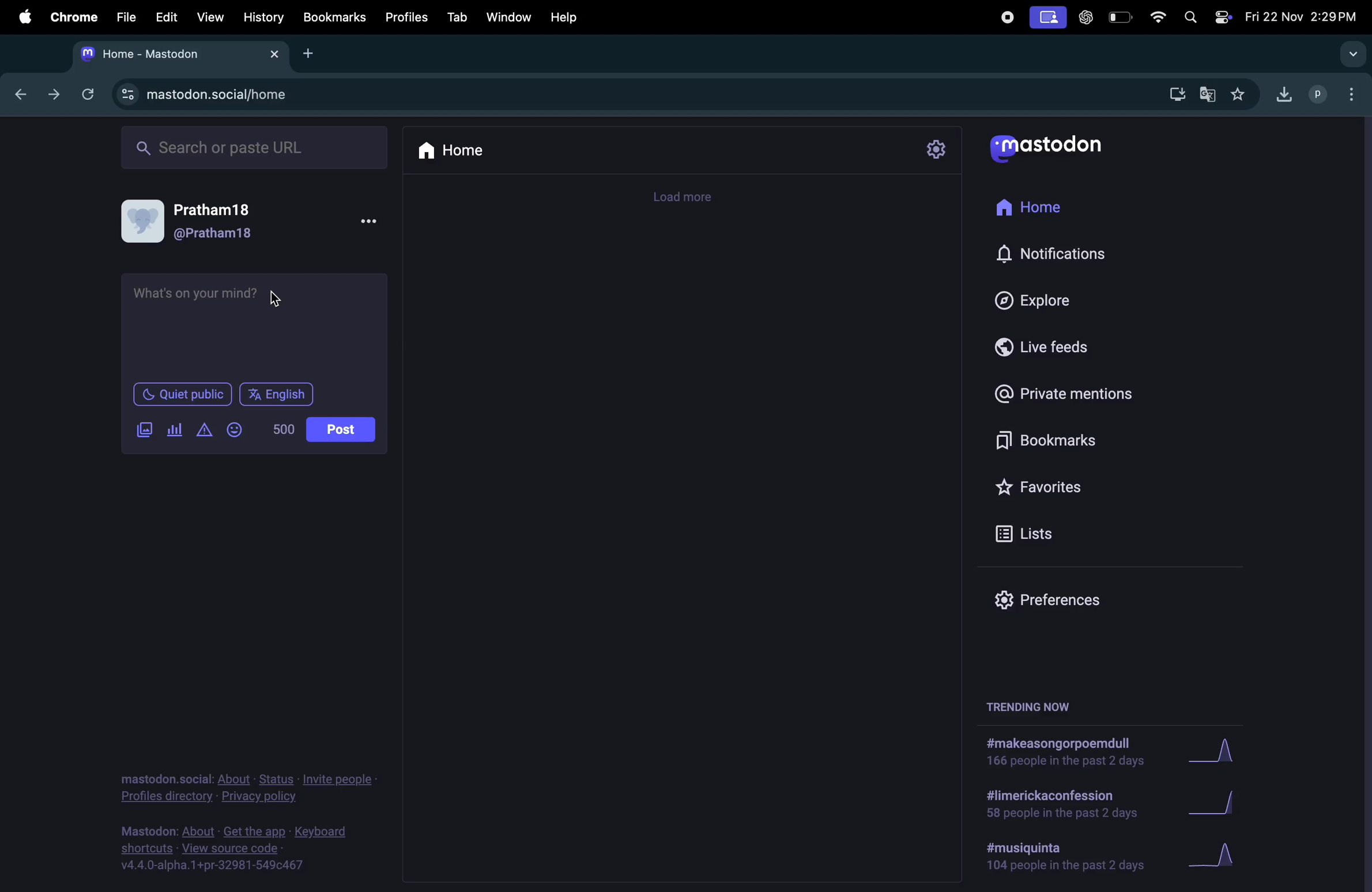 This screenshot has height=892, width=1372. I want to click on mastodon logo, so click(1060, 146).